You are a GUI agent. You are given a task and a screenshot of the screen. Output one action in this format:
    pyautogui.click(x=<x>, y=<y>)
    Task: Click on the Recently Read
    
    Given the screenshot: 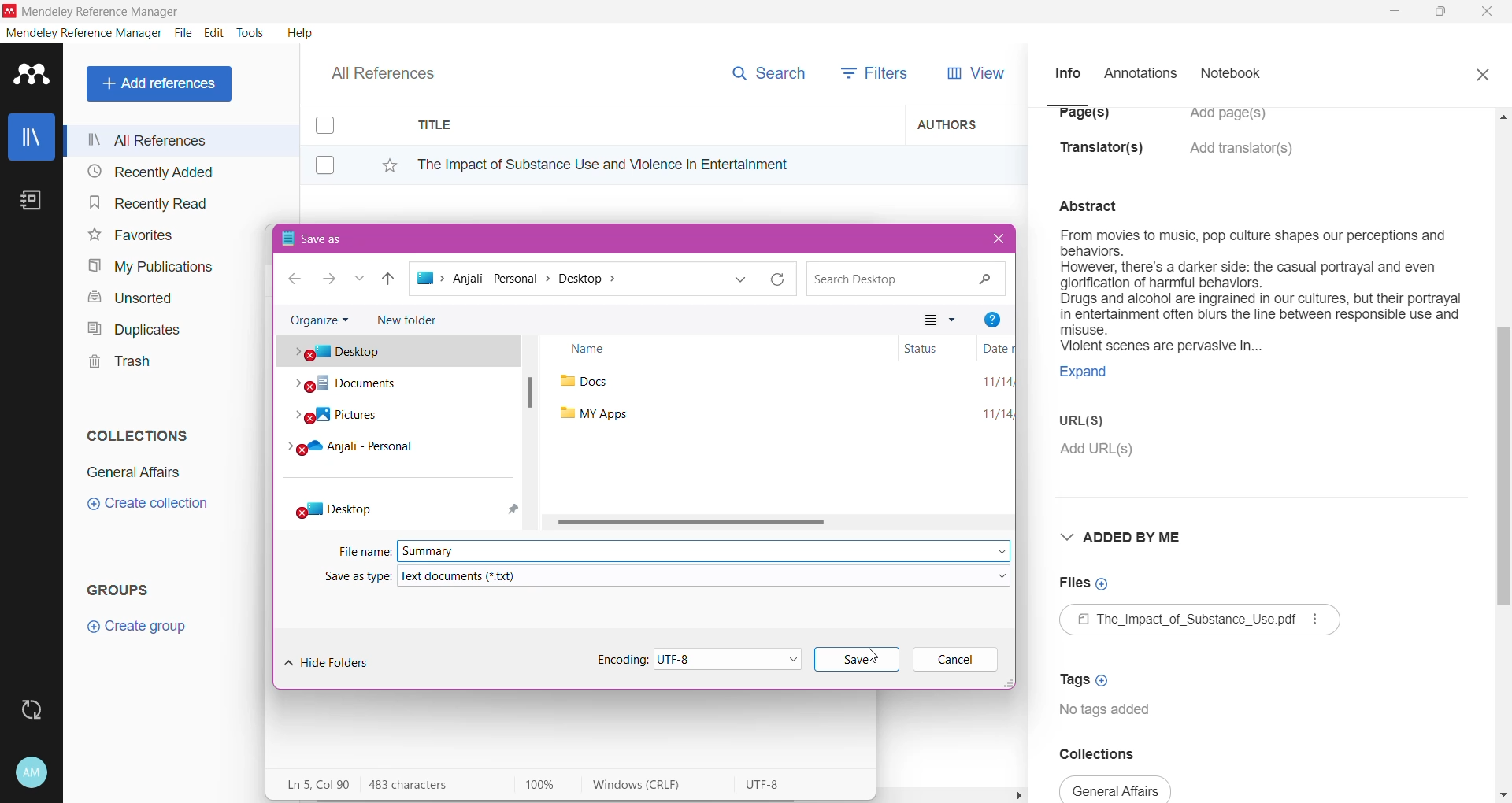 What is the action you would take?
    pyautogui.click(x=148, y=202)
    